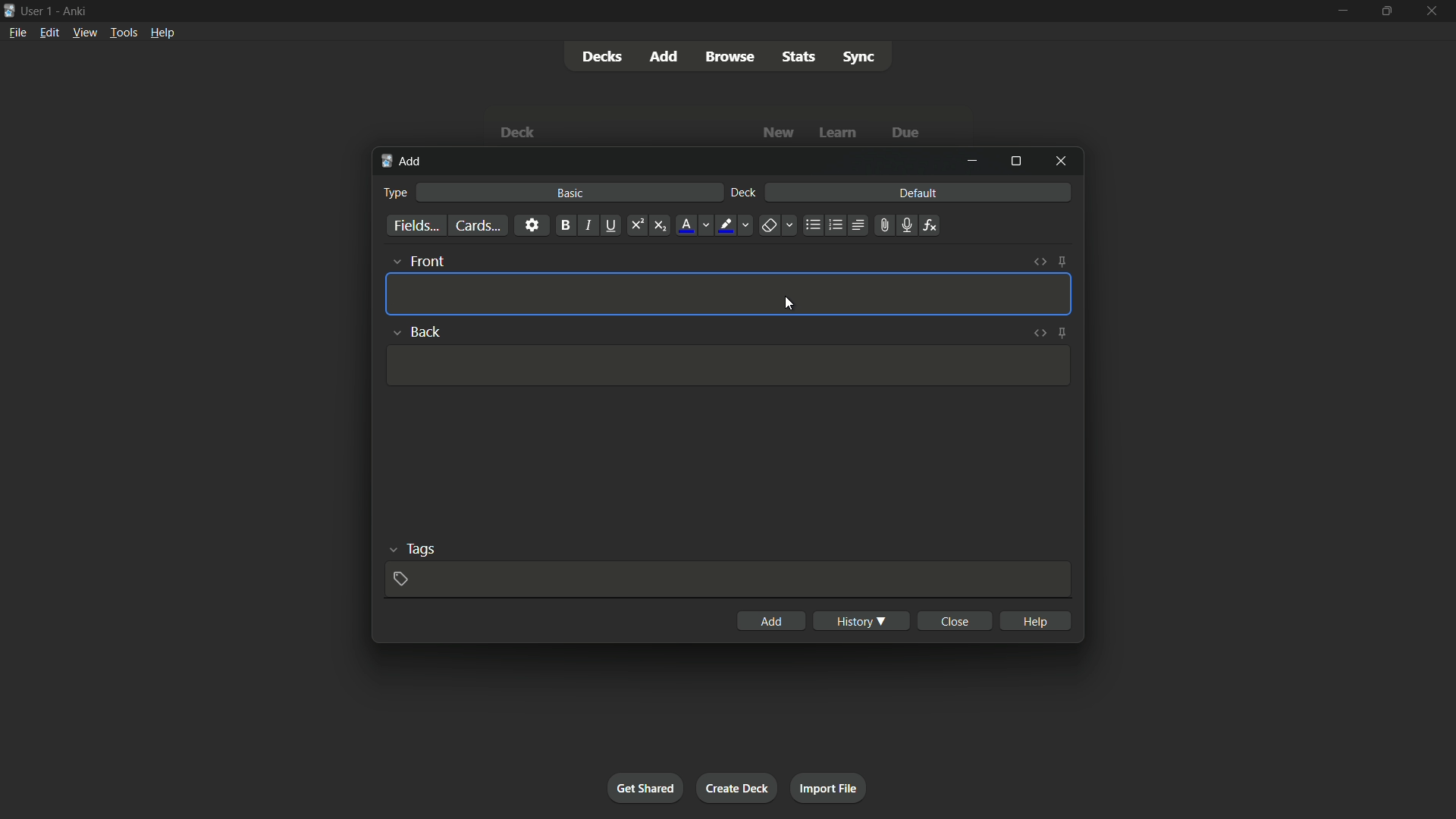 The height and width of the screenshot is (819, 1456). What do you see at coordinates (532, 224) in the screenshot?
I see `settings` at bounding box center [532, 224].